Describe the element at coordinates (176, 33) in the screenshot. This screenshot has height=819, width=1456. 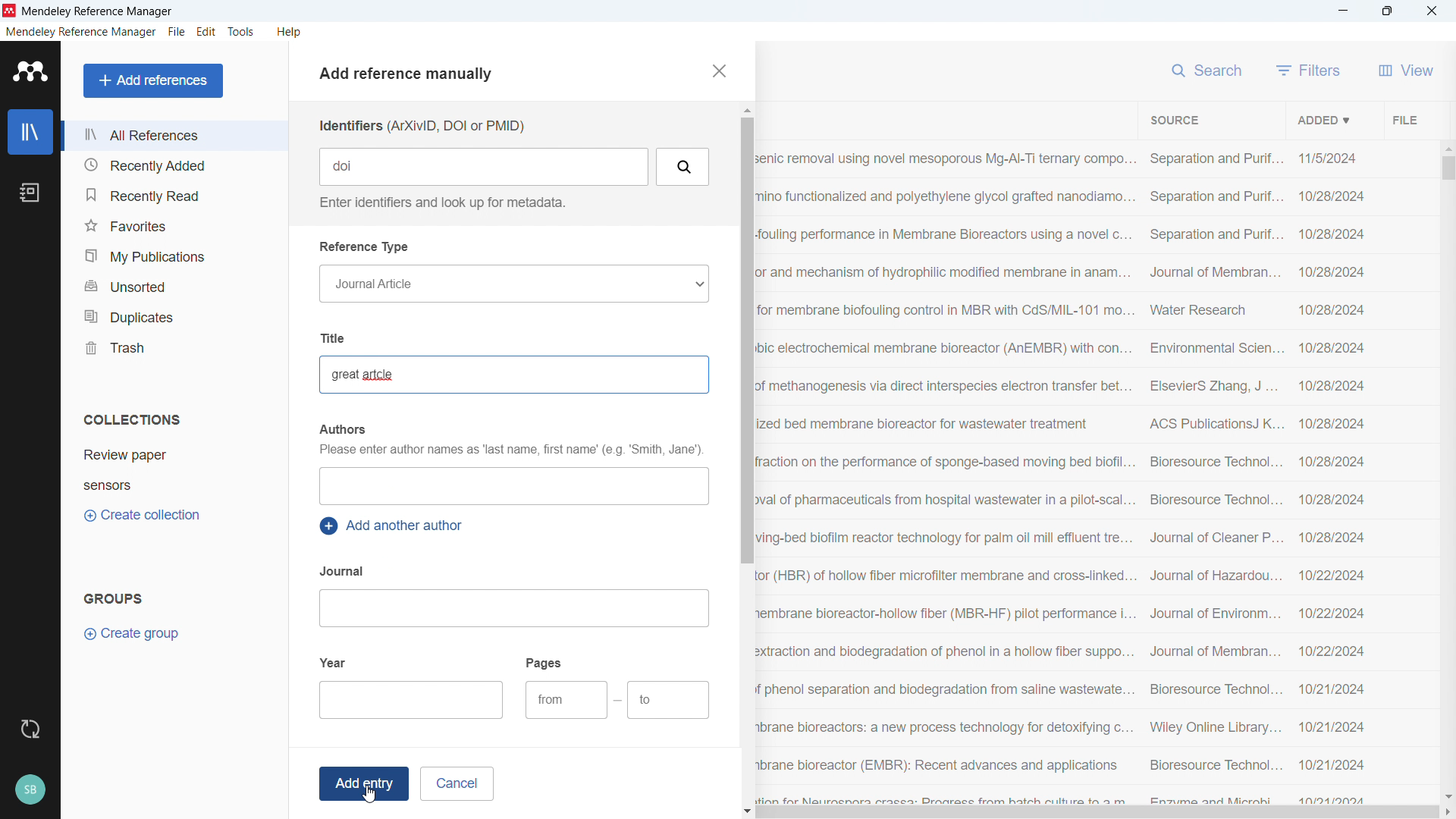
I see `file ` at that location.